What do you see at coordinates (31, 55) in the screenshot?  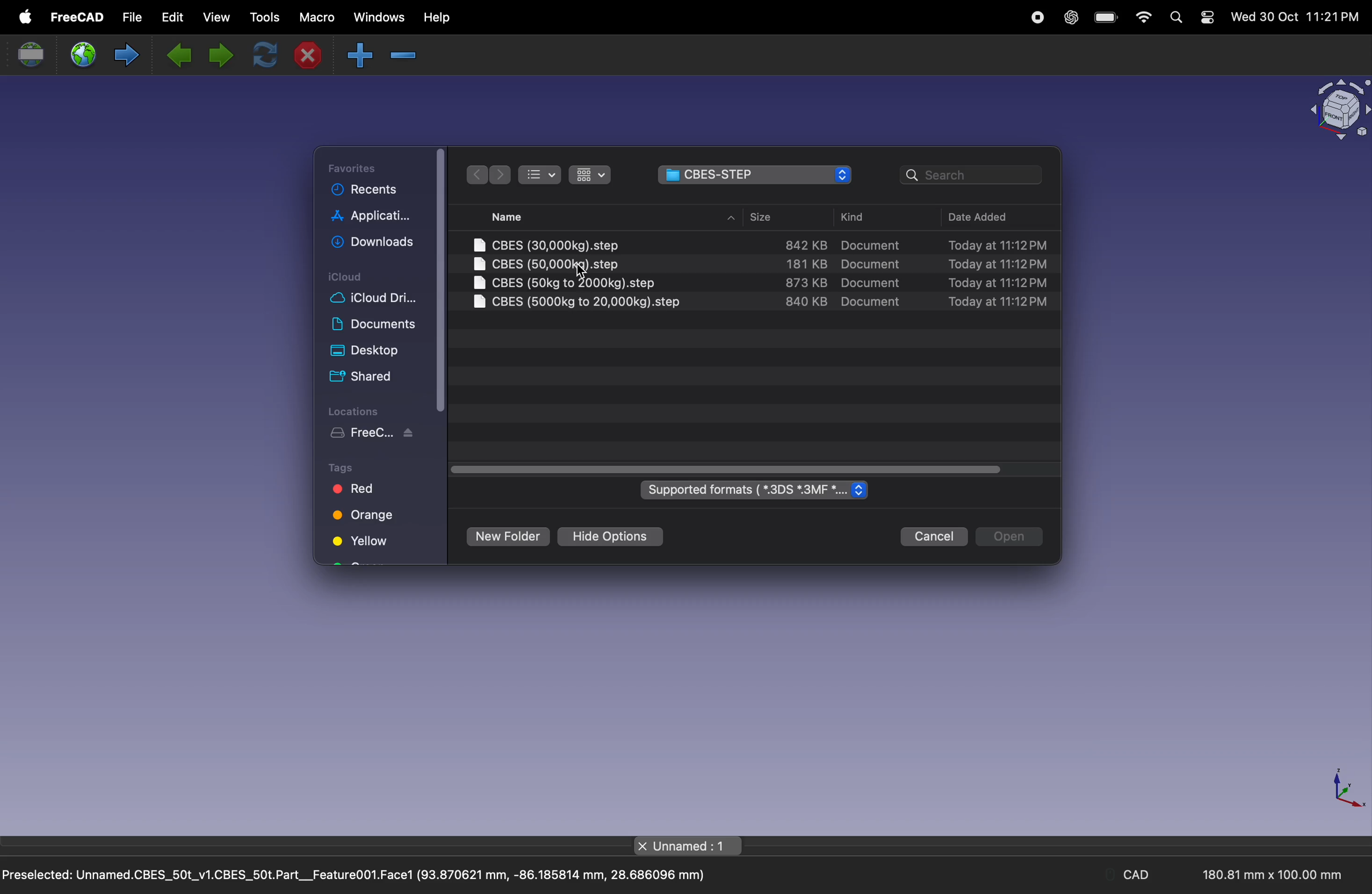 I see `set url` at bounding box center [31, 55].